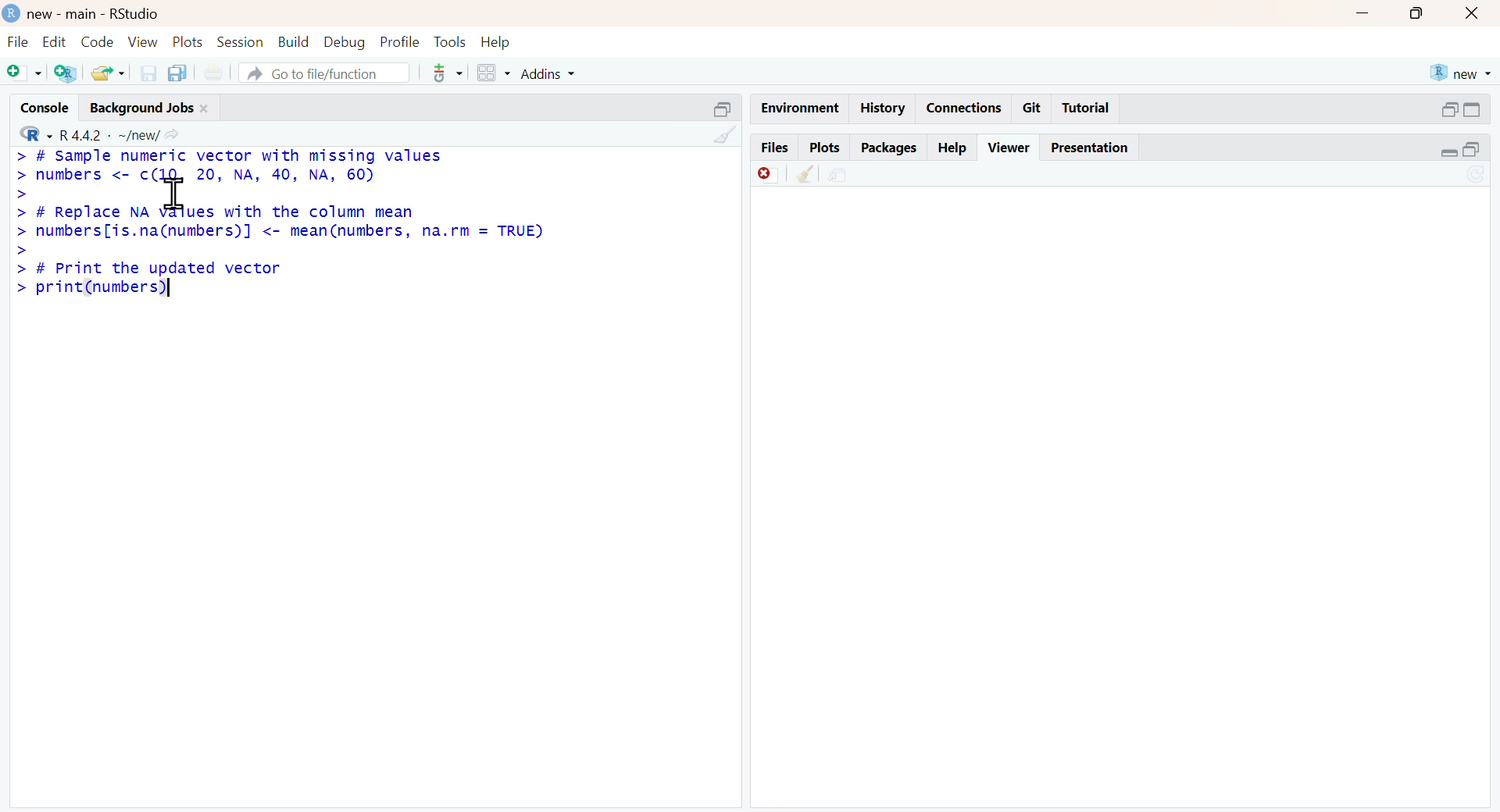 This screenshot has width=1500, height=812. Describe the element at coordinates (98, 41) in the screenshot. I see `code` at that location.